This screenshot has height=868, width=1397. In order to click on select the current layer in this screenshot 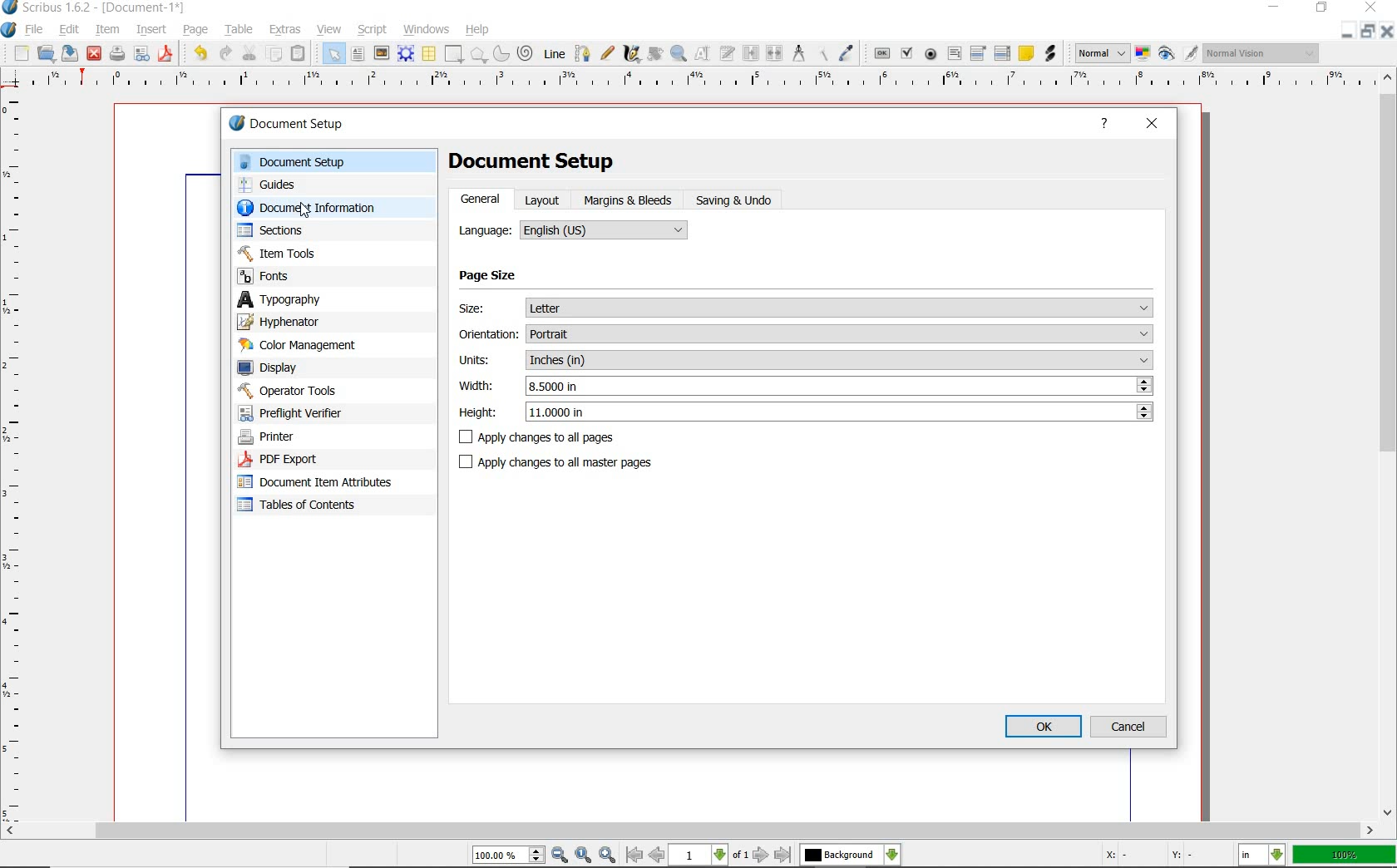, I will do `click(851, 855)`.